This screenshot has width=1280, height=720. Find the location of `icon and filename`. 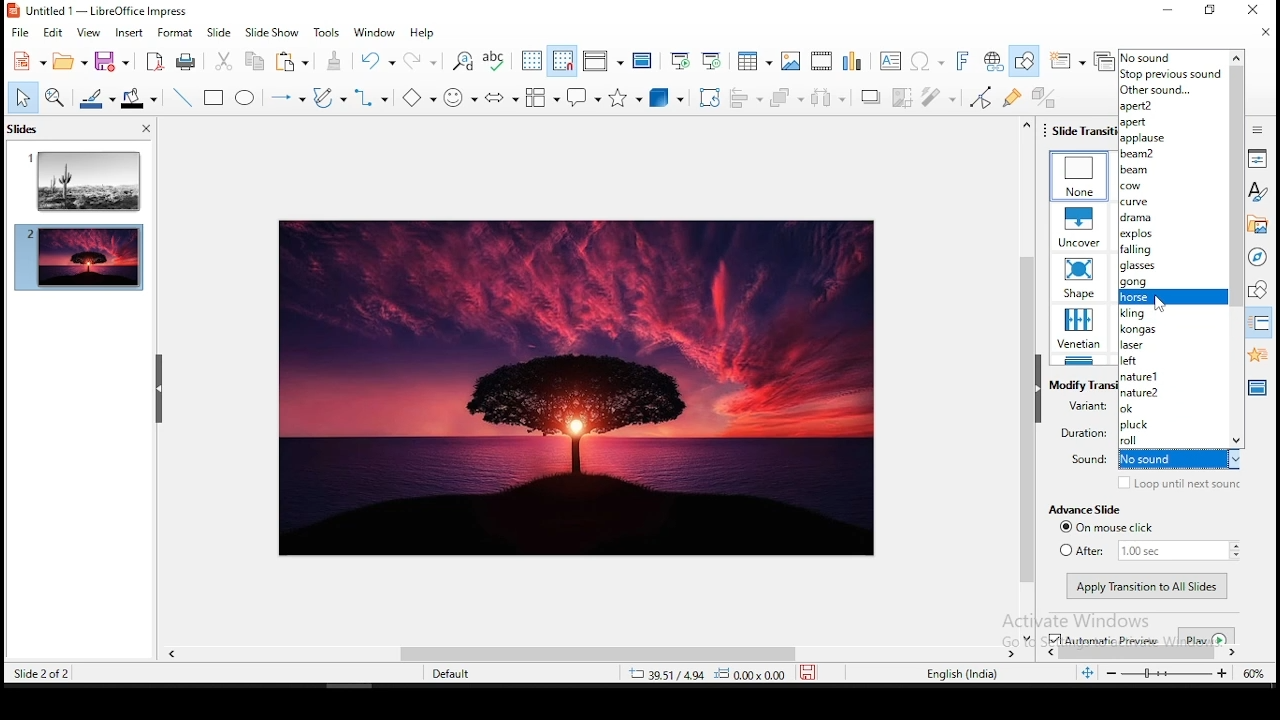

icon and filename is located at coordinates (98, 11).